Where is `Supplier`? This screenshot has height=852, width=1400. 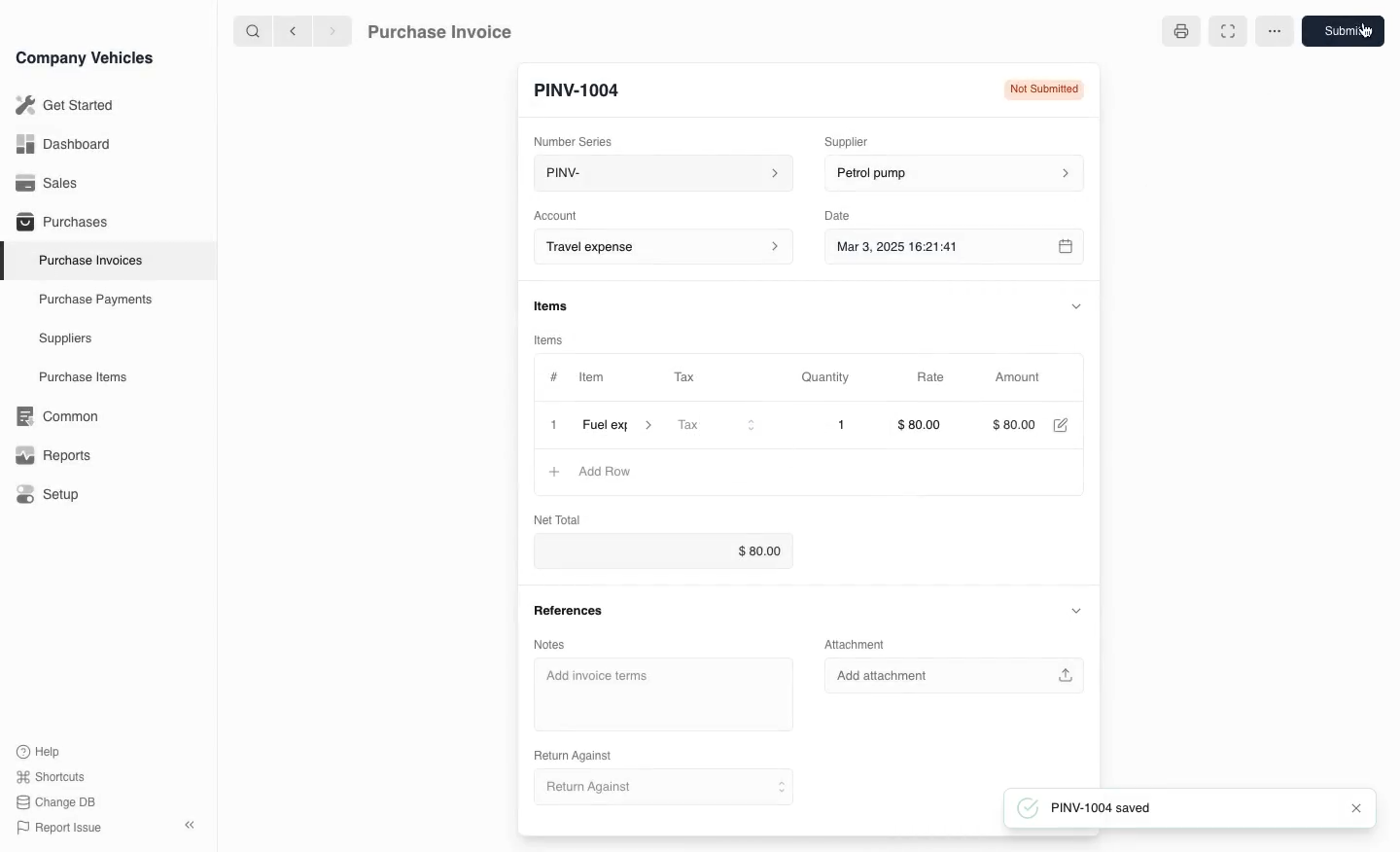 Supplier is located at coordinates (859, 139).